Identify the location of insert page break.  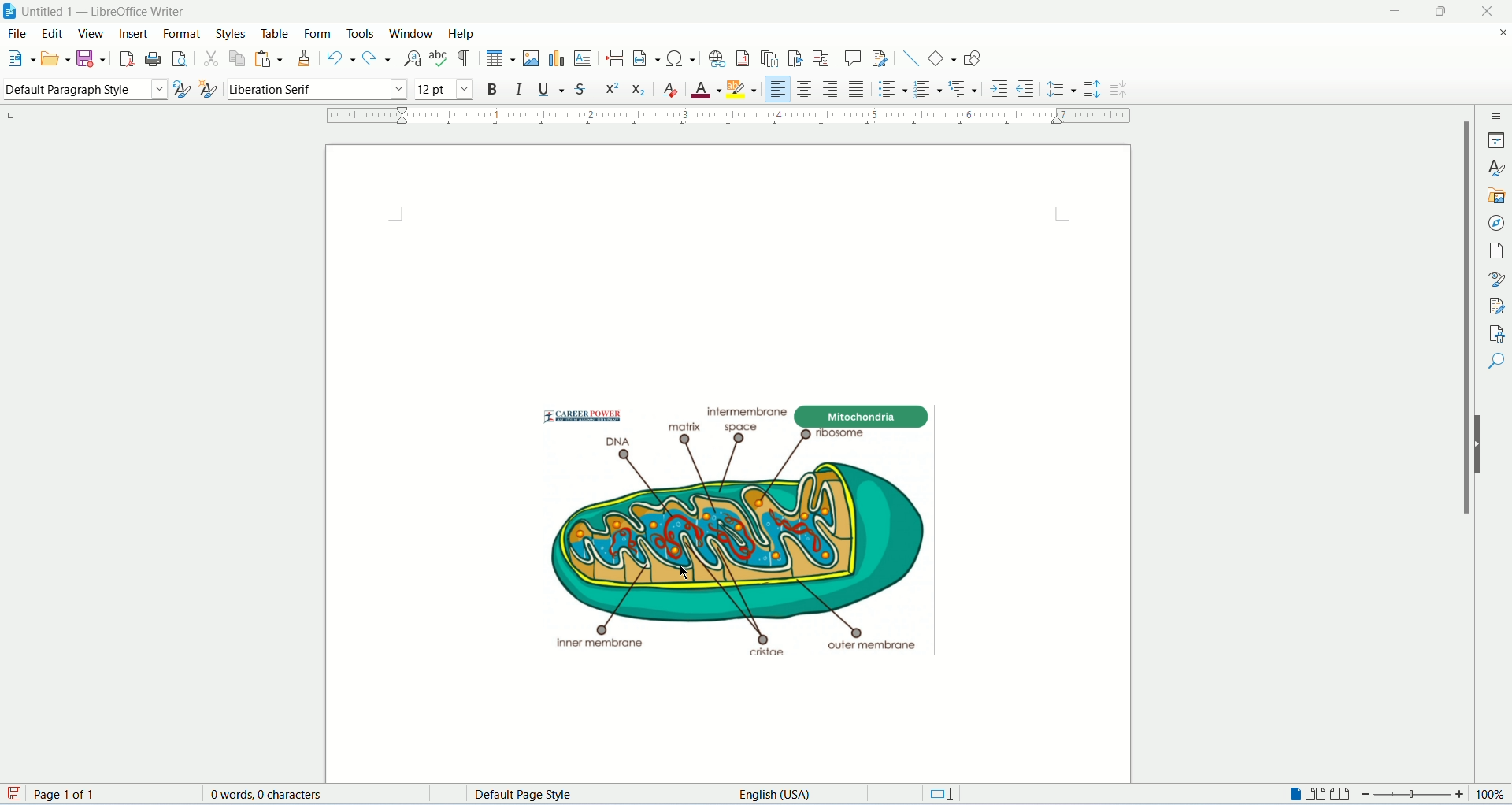
(615, 58).